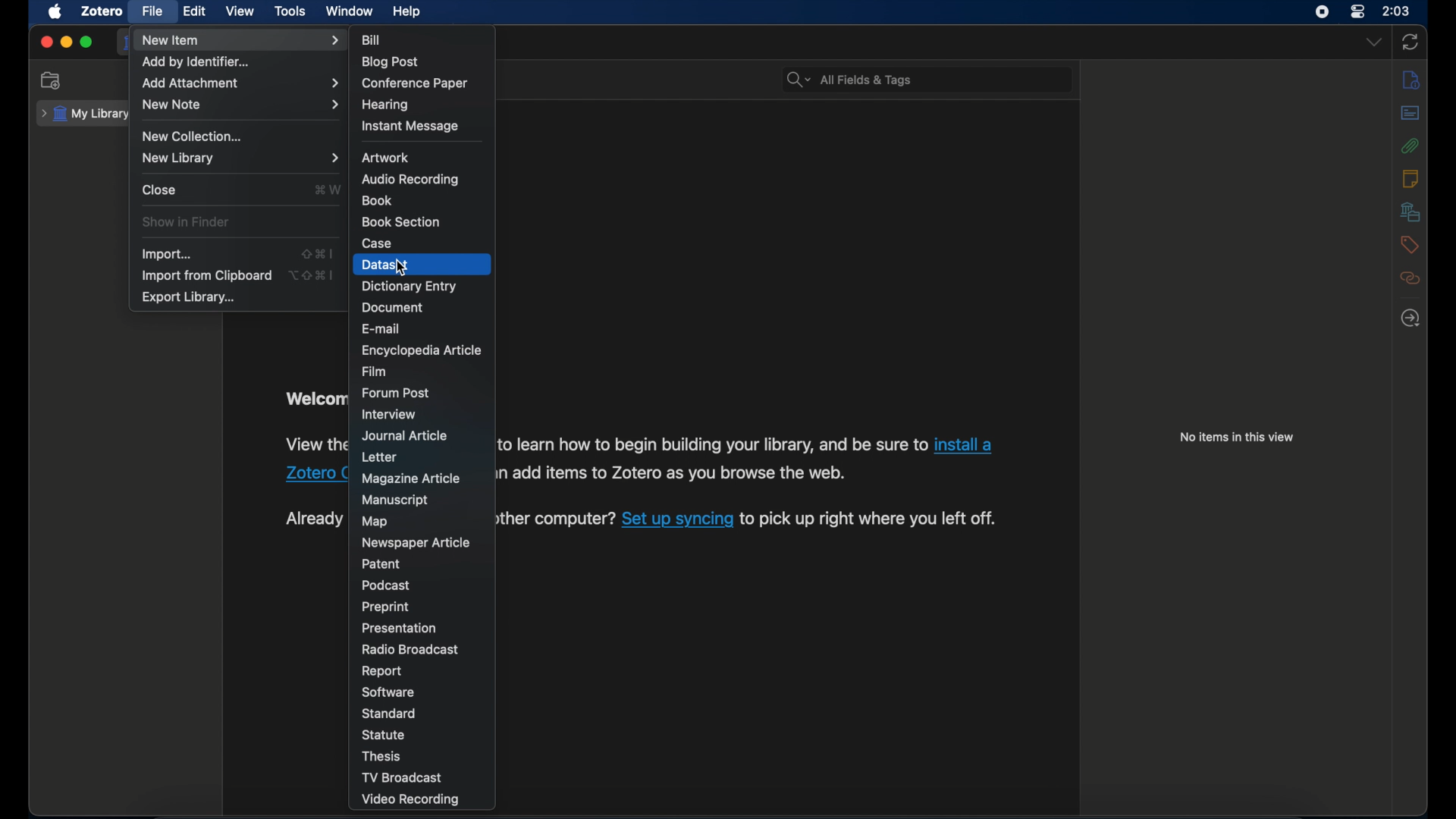  What do you see at coordinates (395, 309) in the screenshot?
I see `document` at bounding box center [395, 309].